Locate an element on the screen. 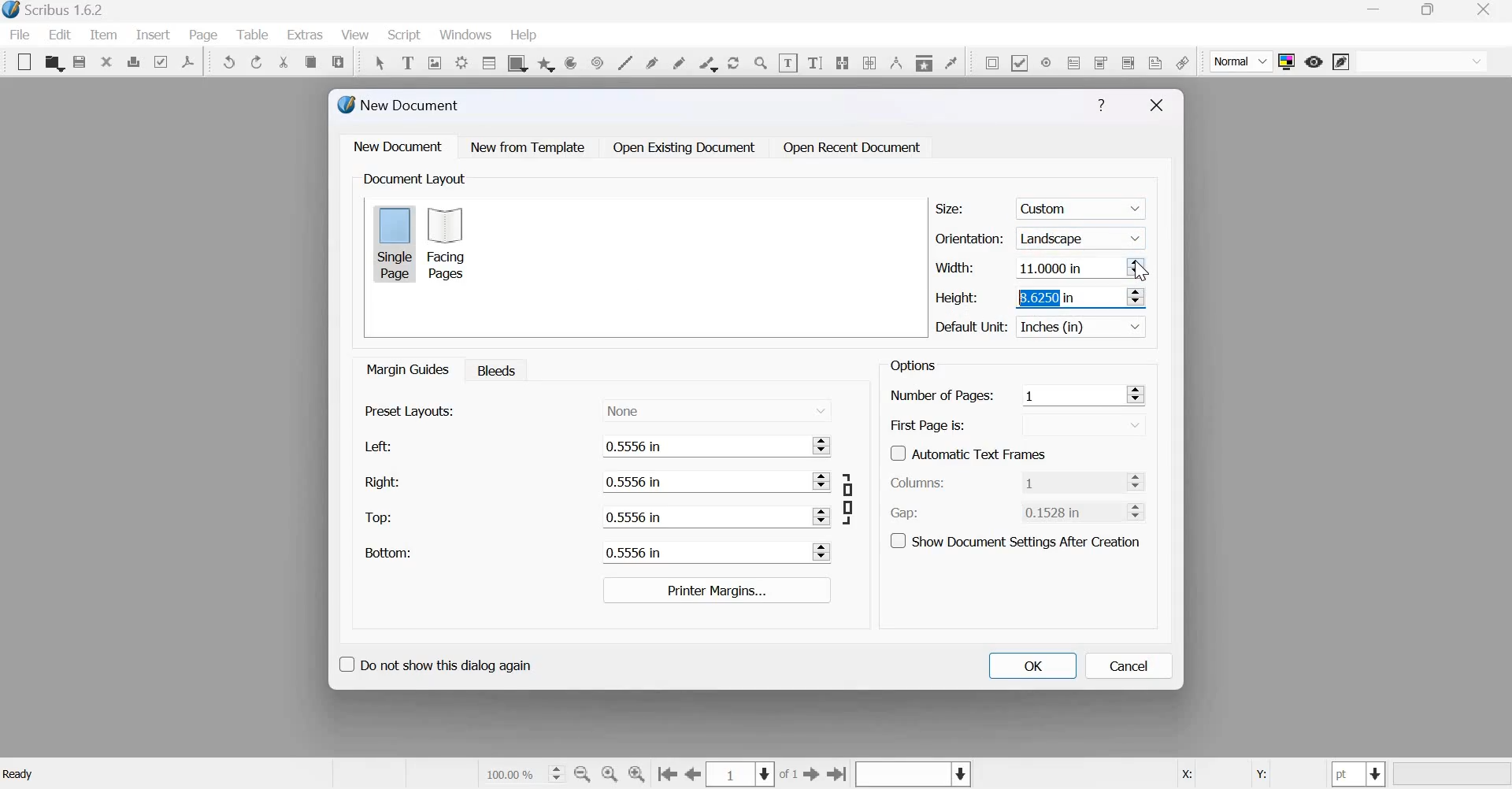 Image resolution: width=1512 pixels, height=789 pixels. Preflight verifier is located at coordinates (160, 61).